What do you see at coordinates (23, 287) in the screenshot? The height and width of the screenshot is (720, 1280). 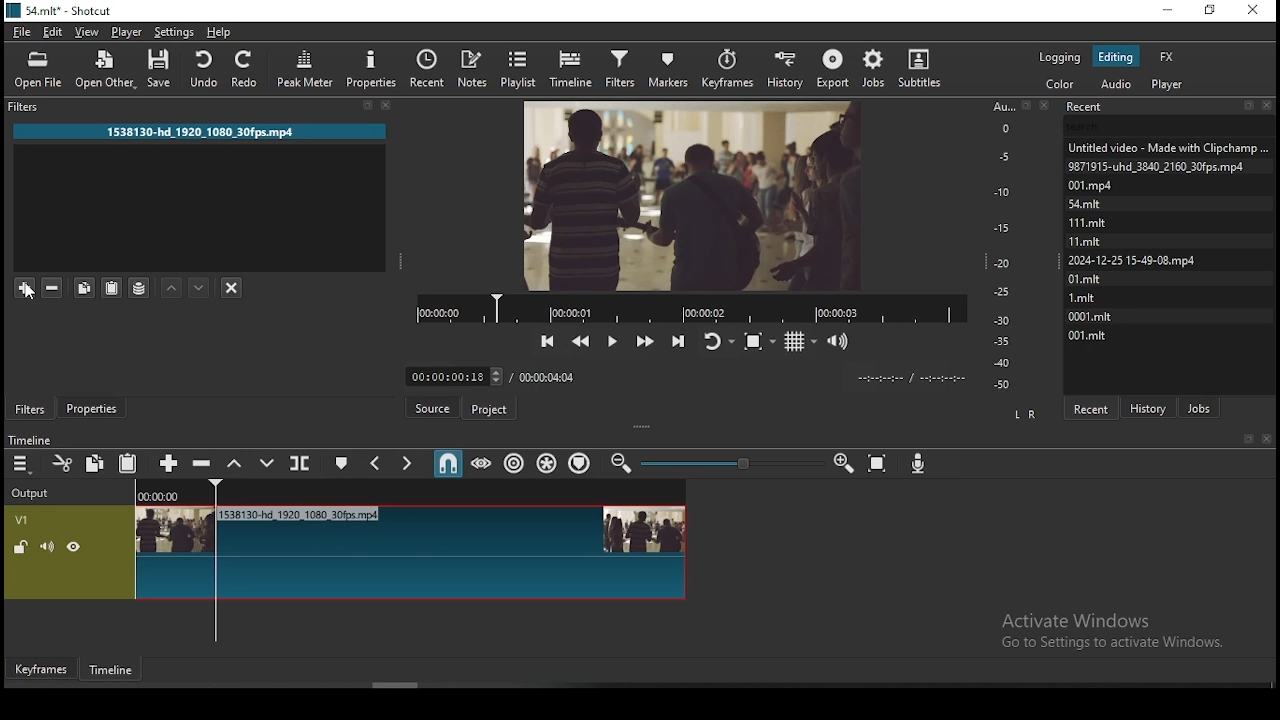 I see `add filter` at bounding box center [23, 287].